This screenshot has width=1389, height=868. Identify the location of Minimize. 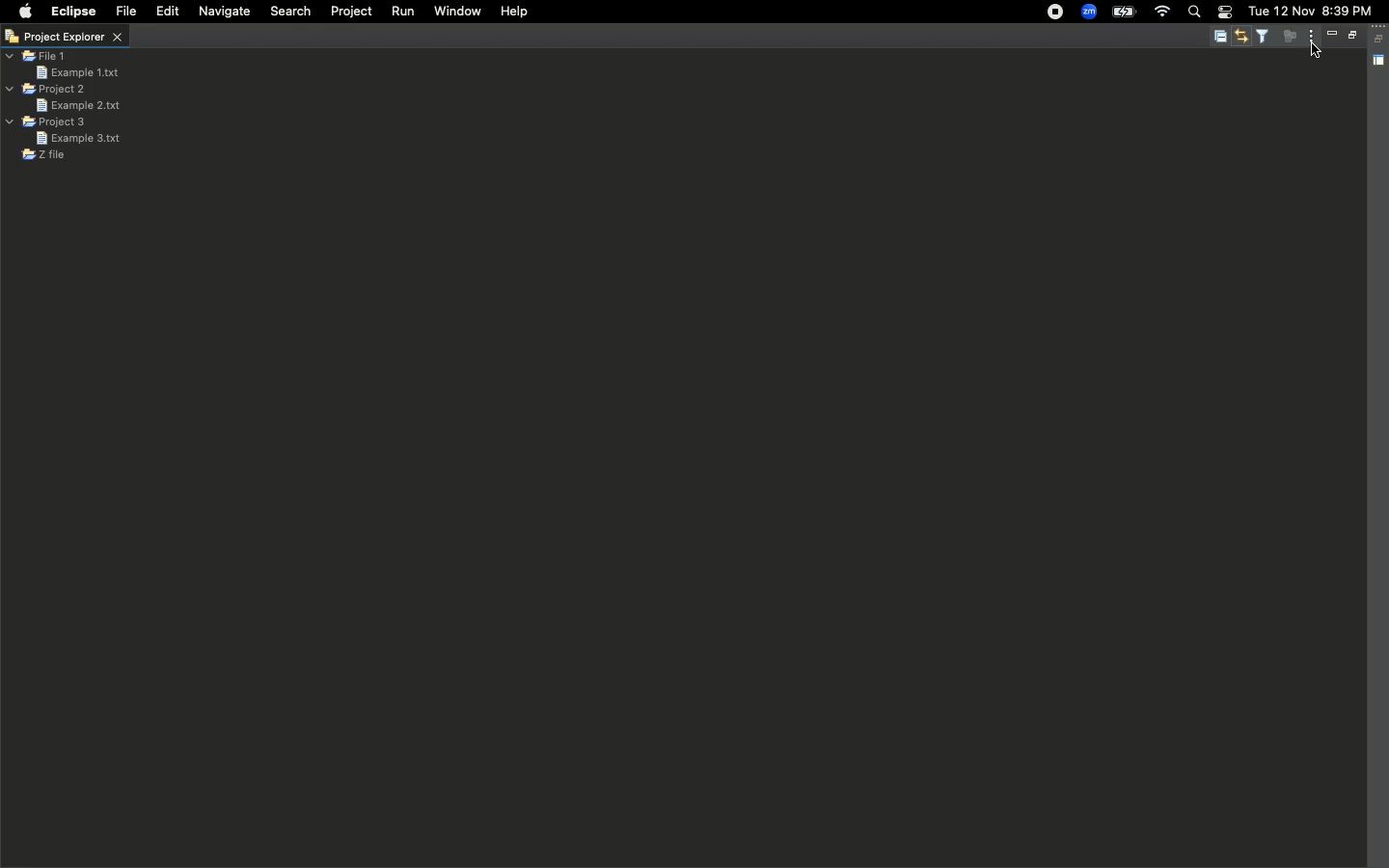
(1331, 34).